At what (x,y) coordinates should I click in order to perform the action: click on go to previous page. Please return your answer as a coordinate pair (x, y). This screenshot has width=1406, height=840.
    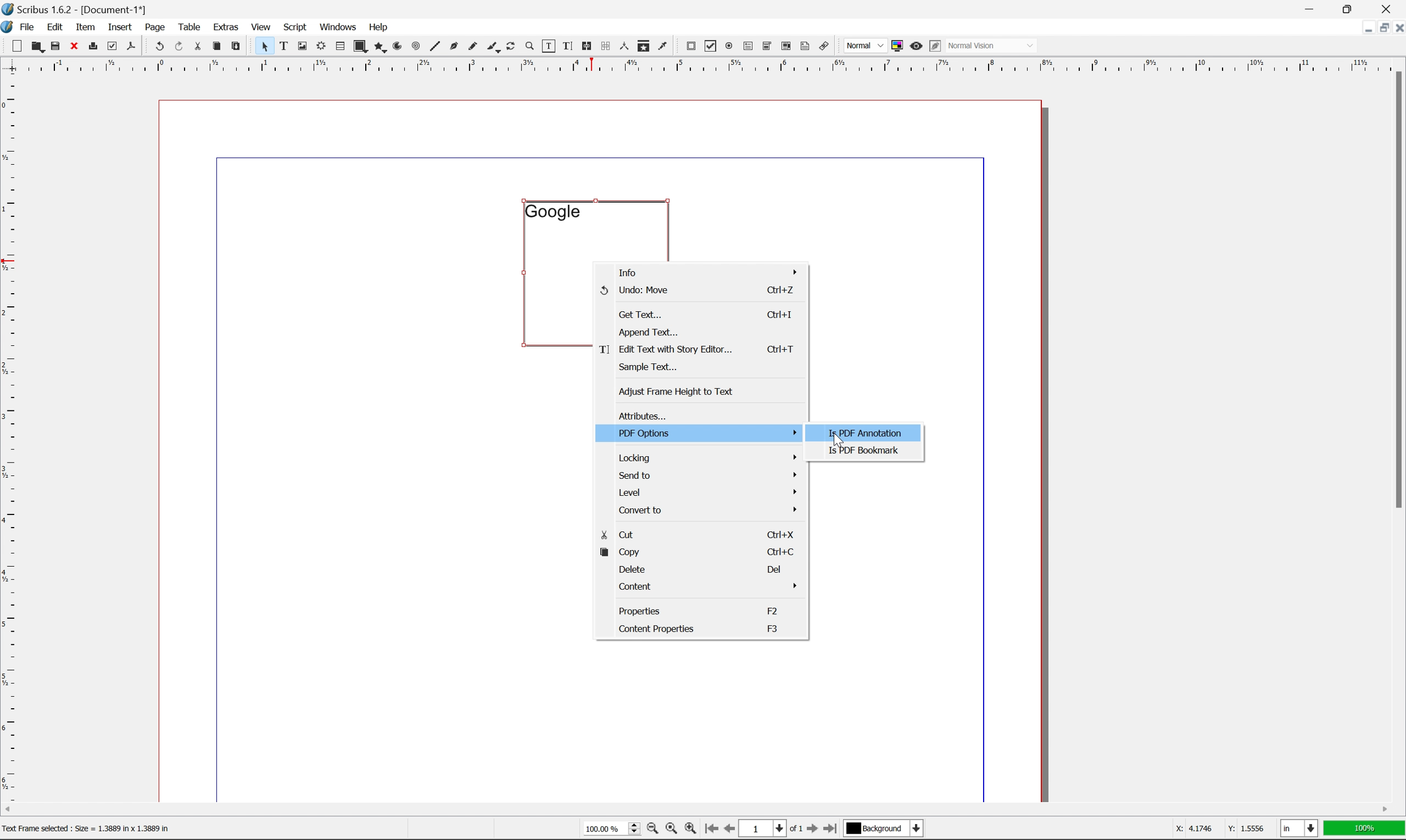
    Looking at the image, I should click on (730, 830).